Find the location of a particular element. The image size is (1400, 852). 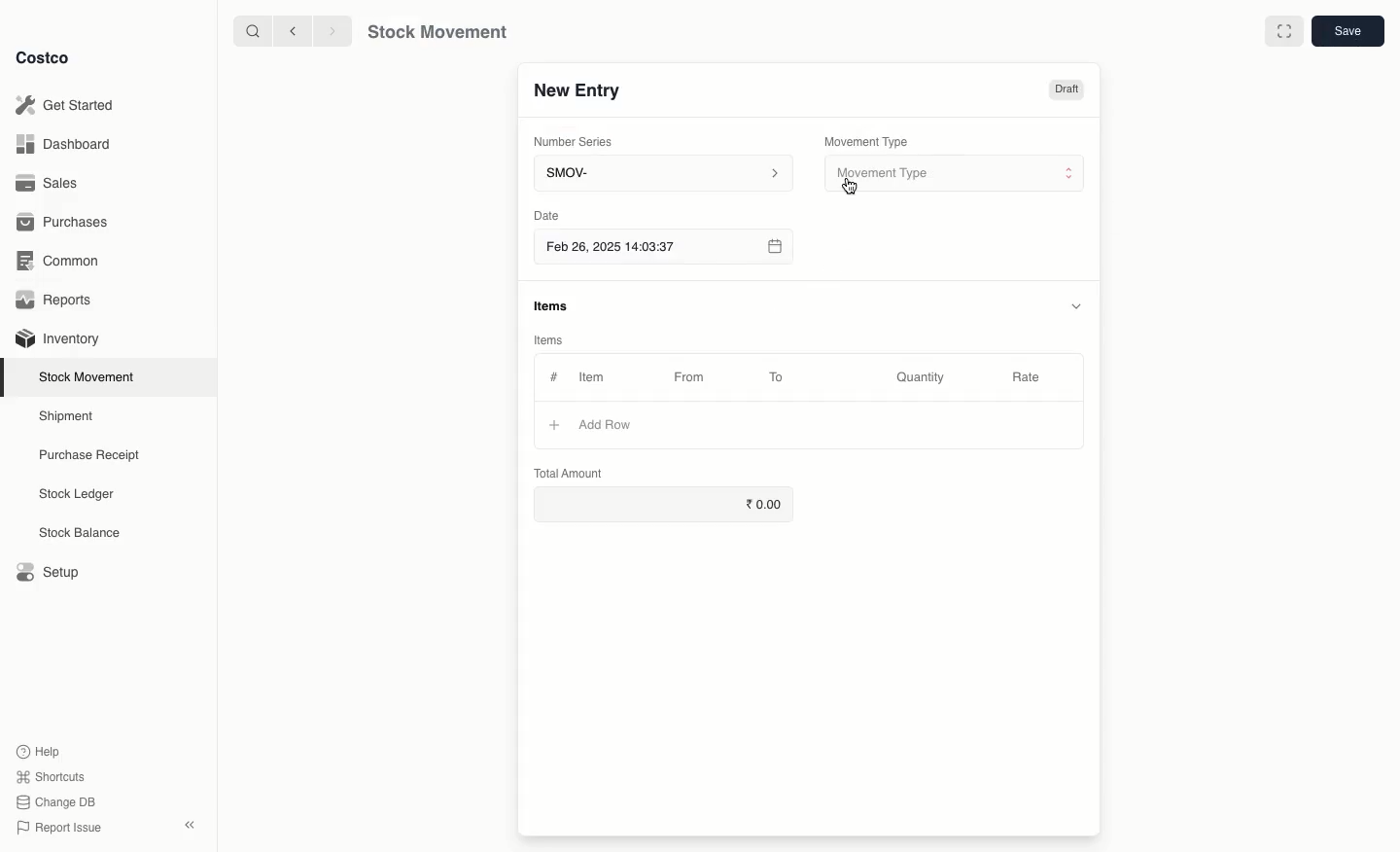

Stock Ledger is located at coordinates (77, 496).